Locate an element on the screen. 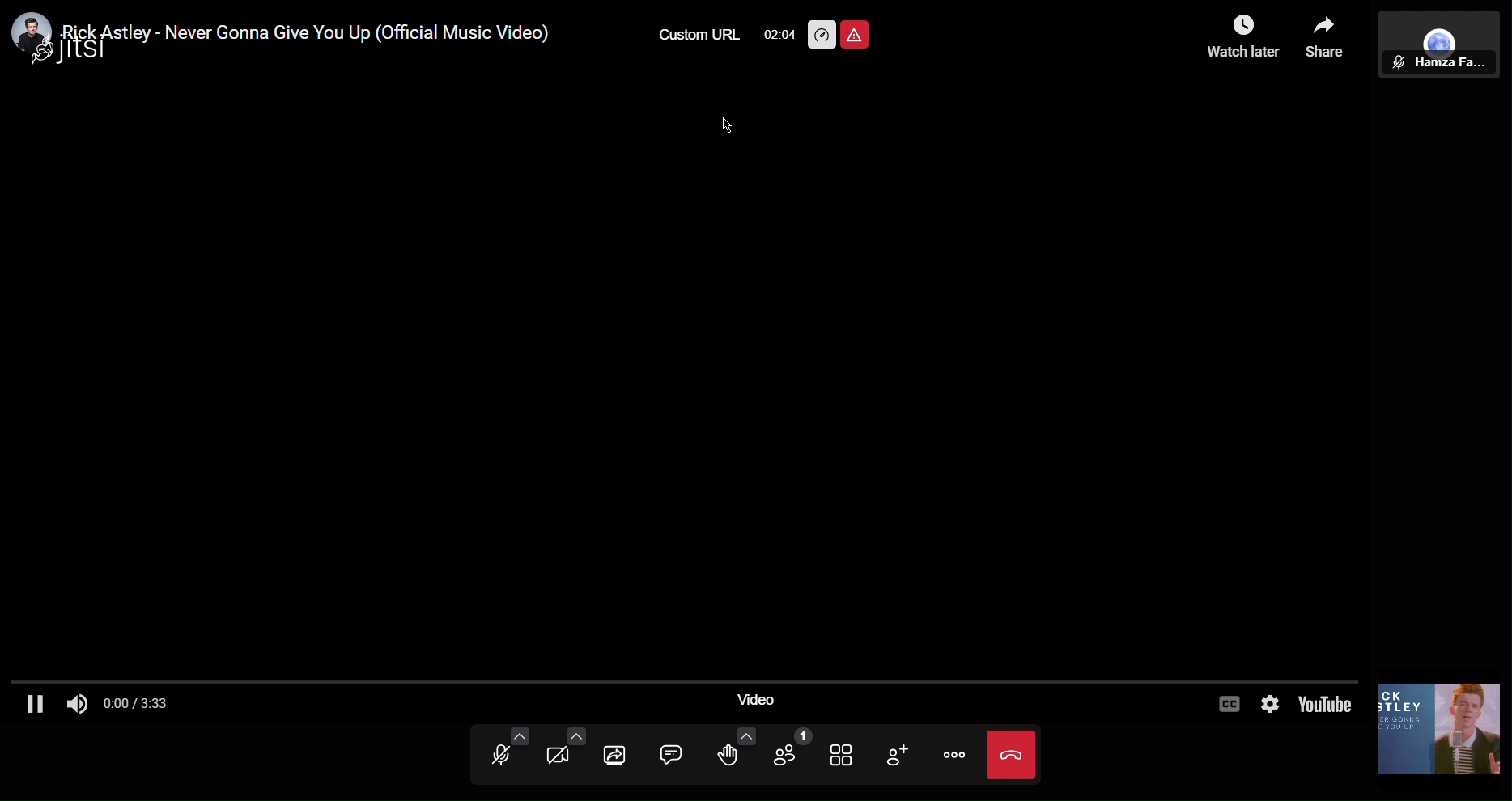  Settings is located at coordinates (1273, 704).